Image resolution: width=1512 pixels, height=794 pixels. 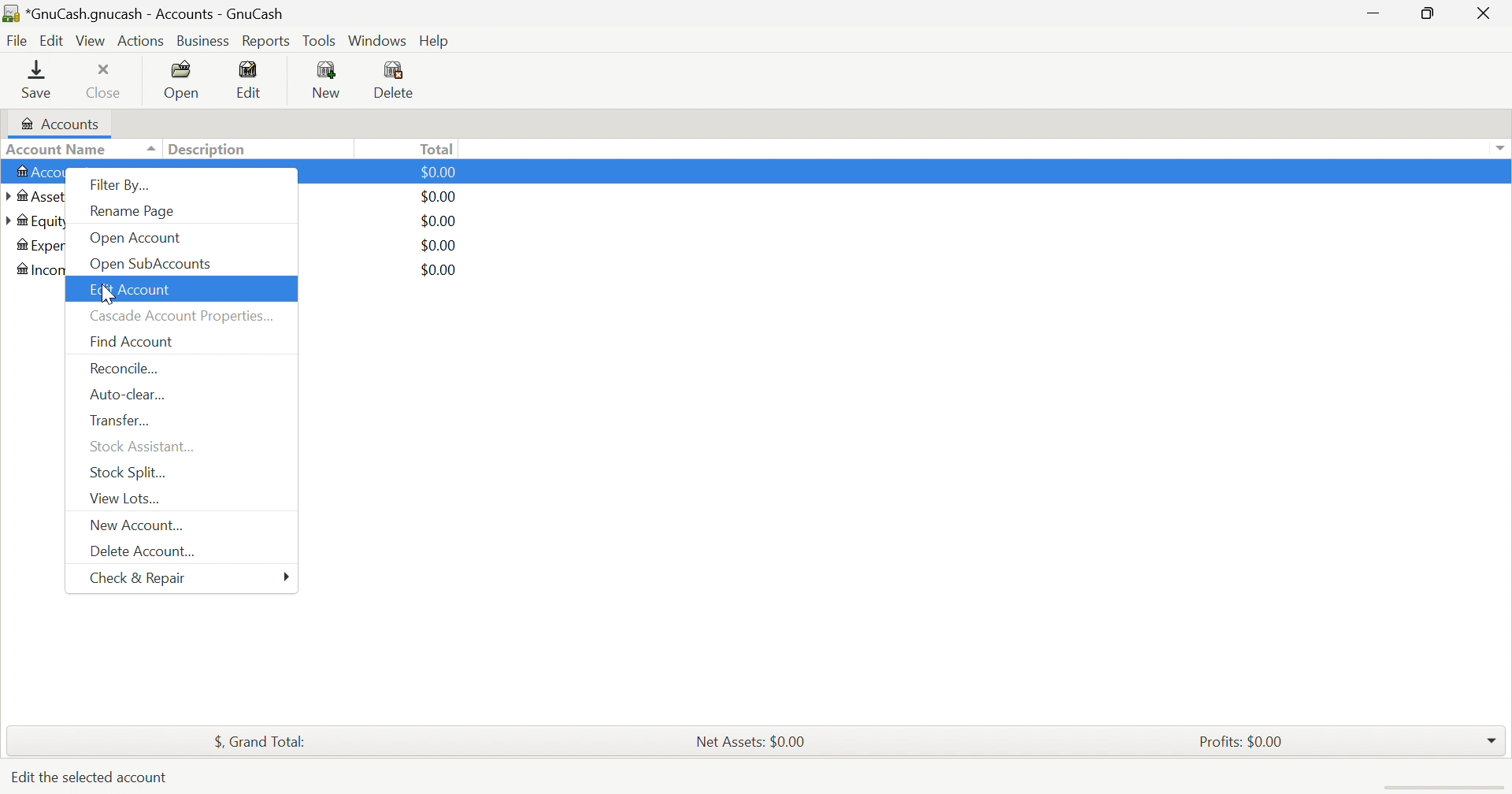 I want to click on Drop Down, so click(x=1491, y=739).